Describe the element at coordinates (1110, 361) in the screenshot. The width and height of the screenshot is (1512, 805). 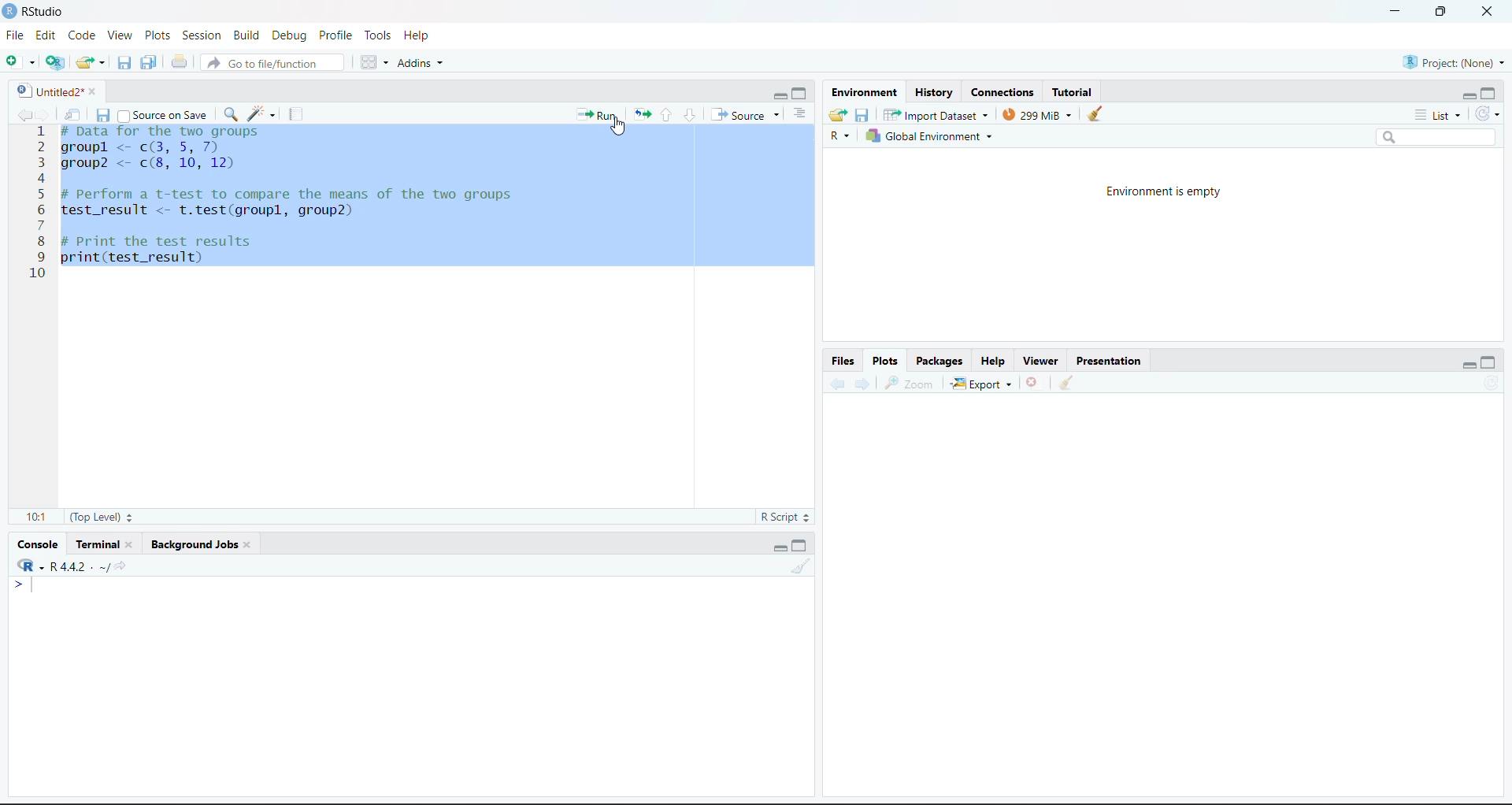
I see `Presentation` at that location.